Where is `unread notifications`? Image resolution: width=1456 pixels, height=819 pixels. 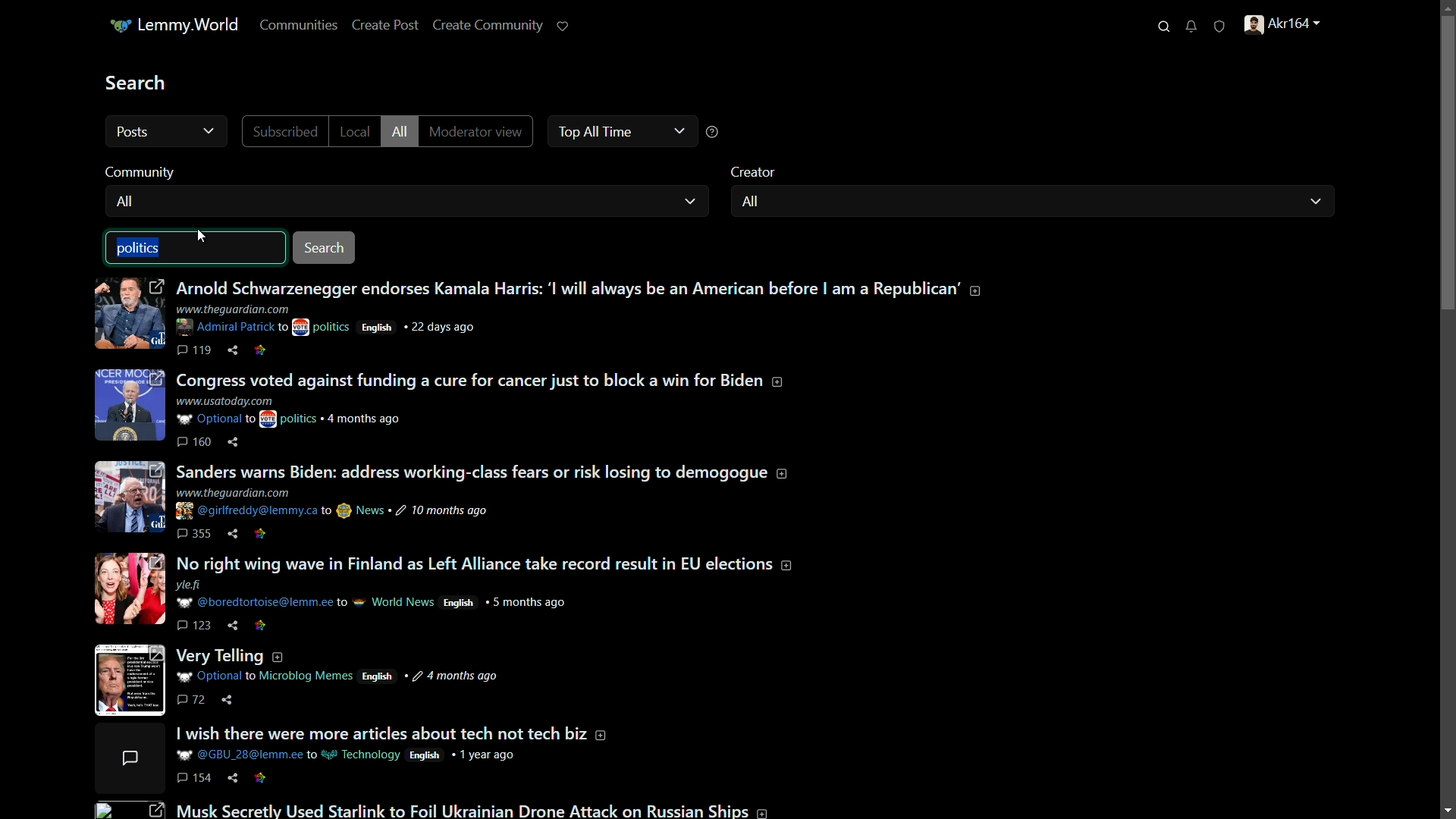
unread notifications is located at coordinates (1191, 28).